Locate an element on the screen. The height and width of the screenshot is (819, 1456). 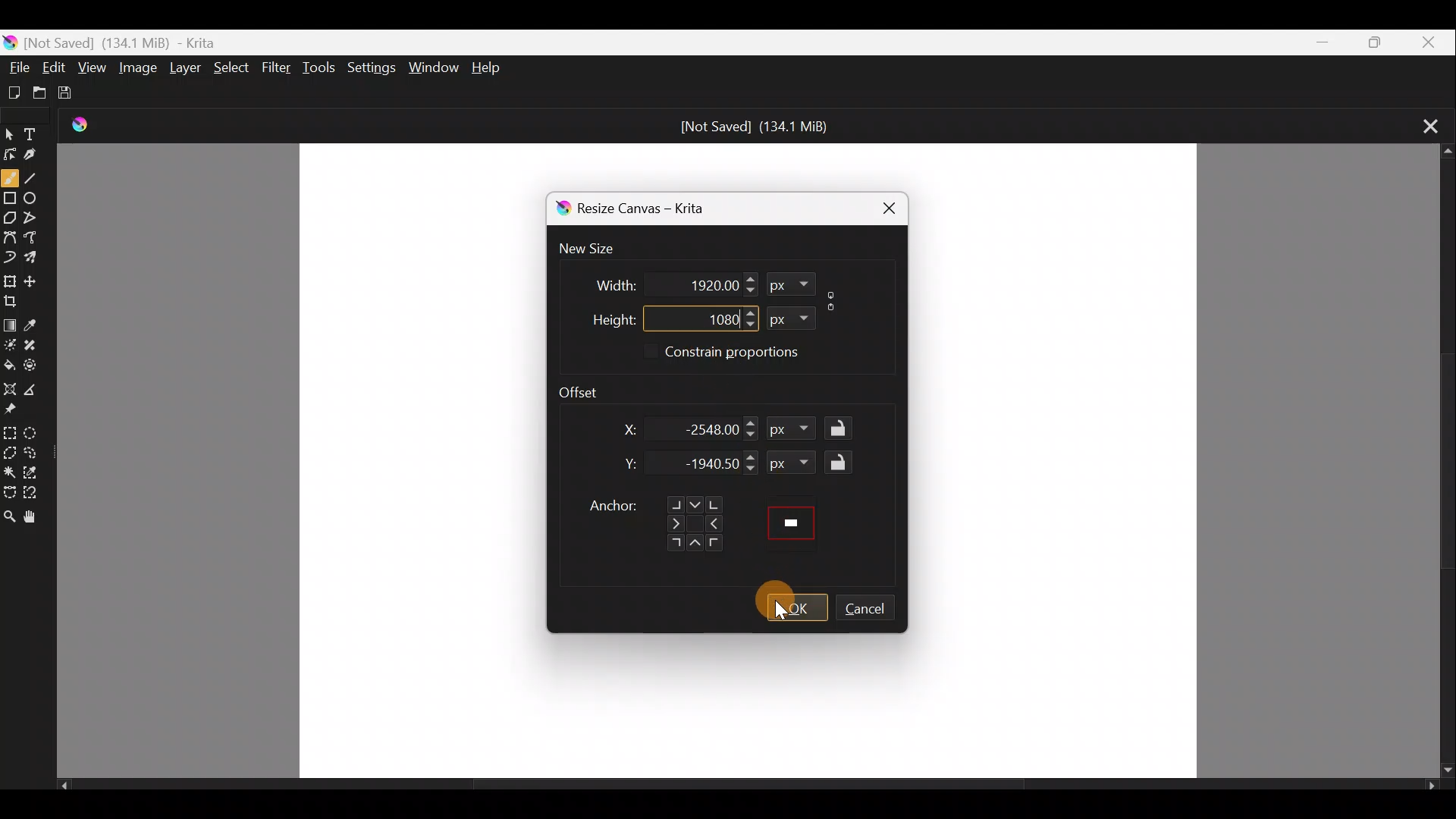
Window is located at coordinates (433, 65).